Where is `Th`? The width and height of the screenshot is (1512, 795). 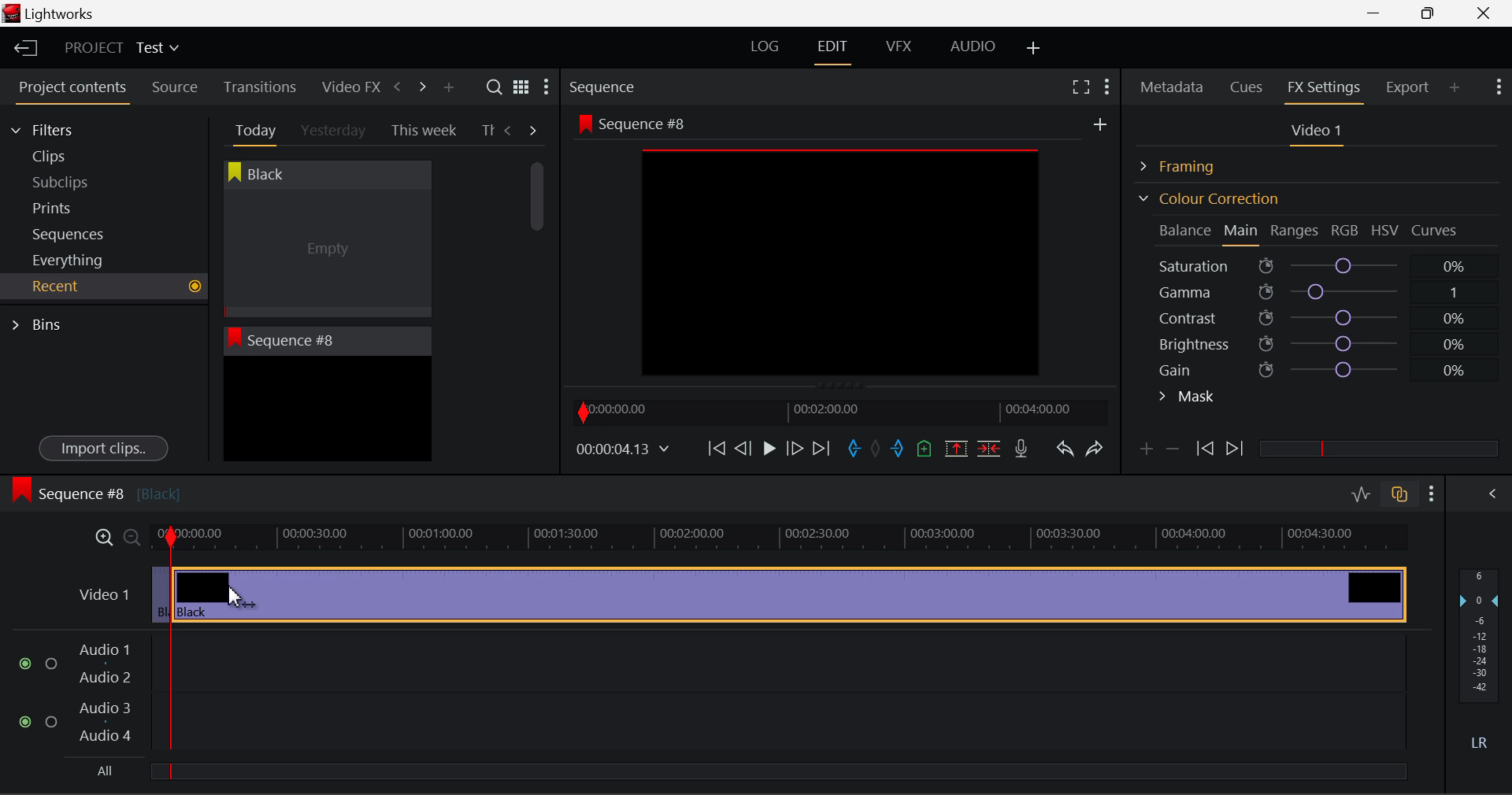
Th is located at coordinates (488, 130).